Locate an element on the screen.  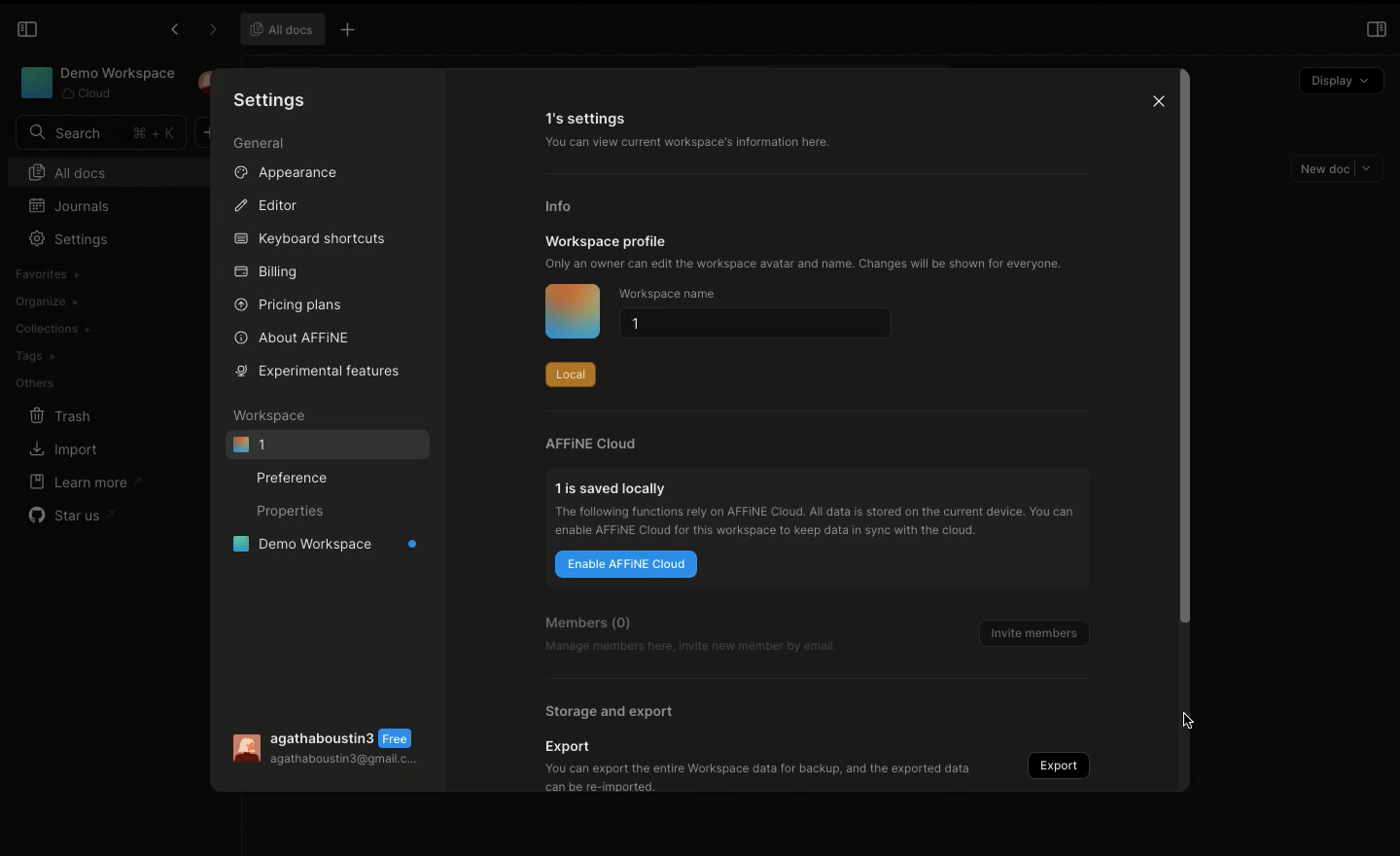
Journals is located at coordinates (71, 206).